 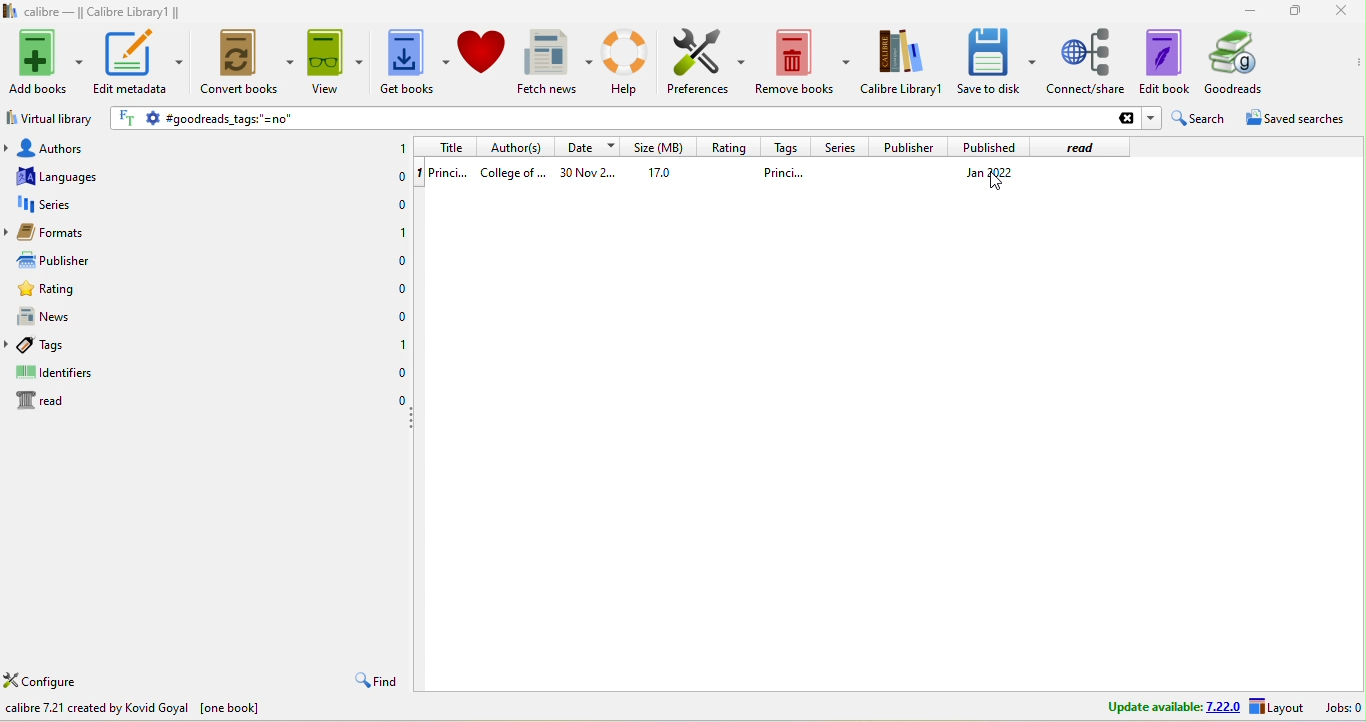 What do you see at coordinates (414, 61) in the screenshot?
I see `get books` at bounding box center [414, 61].